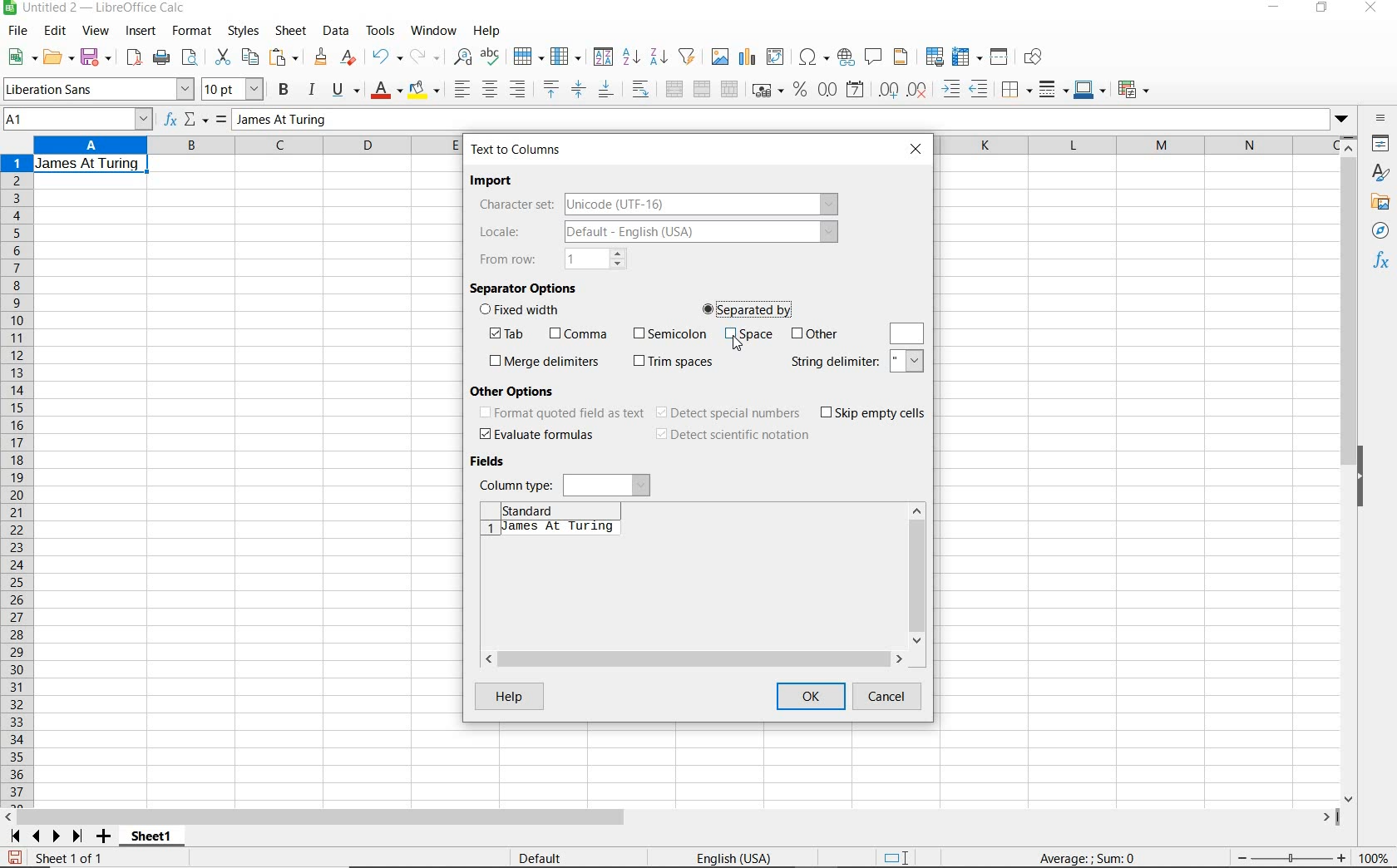 Image resolution: width=1397 pixels, height=868 pixels. I want to click on font color dark, so click(388, 90).